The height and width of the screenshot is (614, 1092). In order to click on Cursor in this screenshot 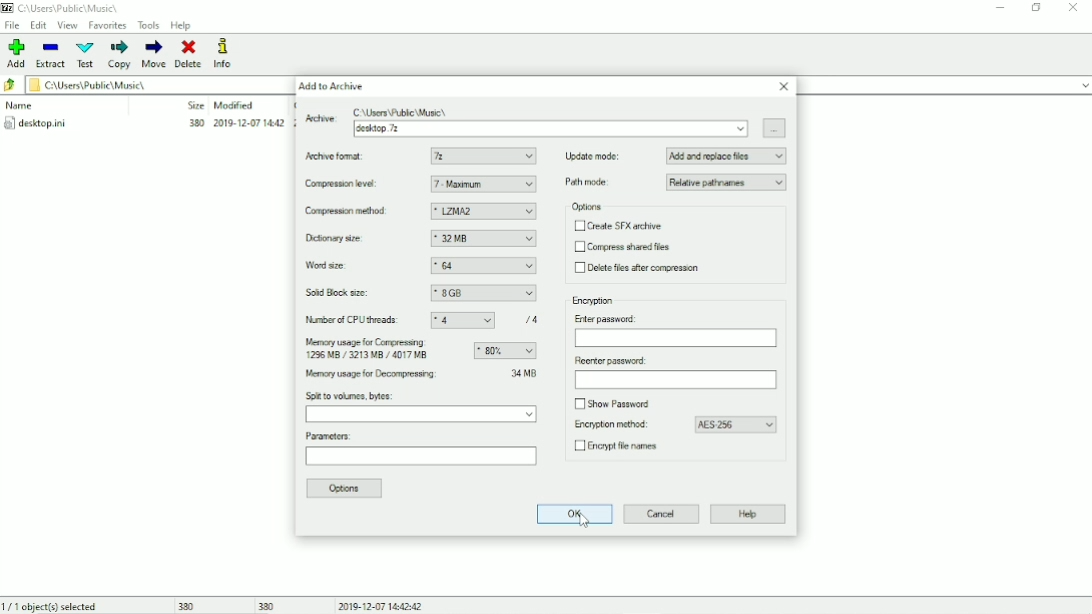, I will do `click(585, 521)`.